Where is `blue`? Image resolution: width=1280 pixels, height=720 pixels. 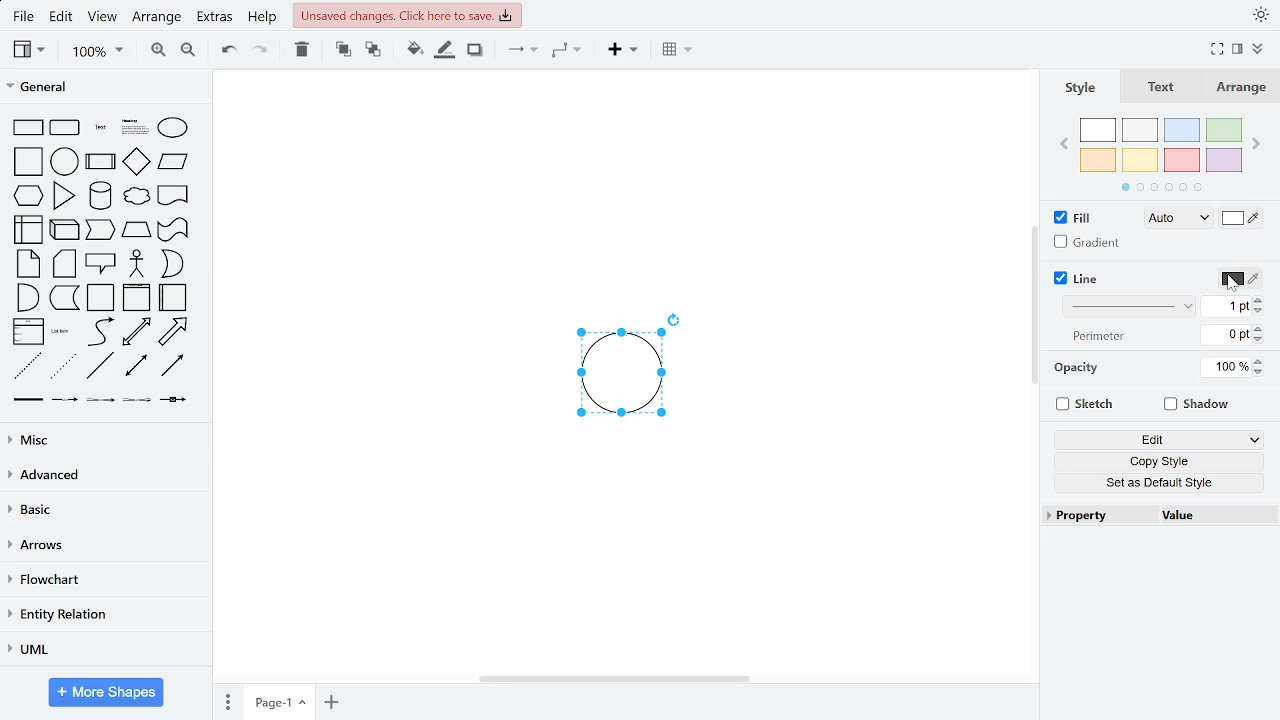 blue is located at coordinates (1182, 130).